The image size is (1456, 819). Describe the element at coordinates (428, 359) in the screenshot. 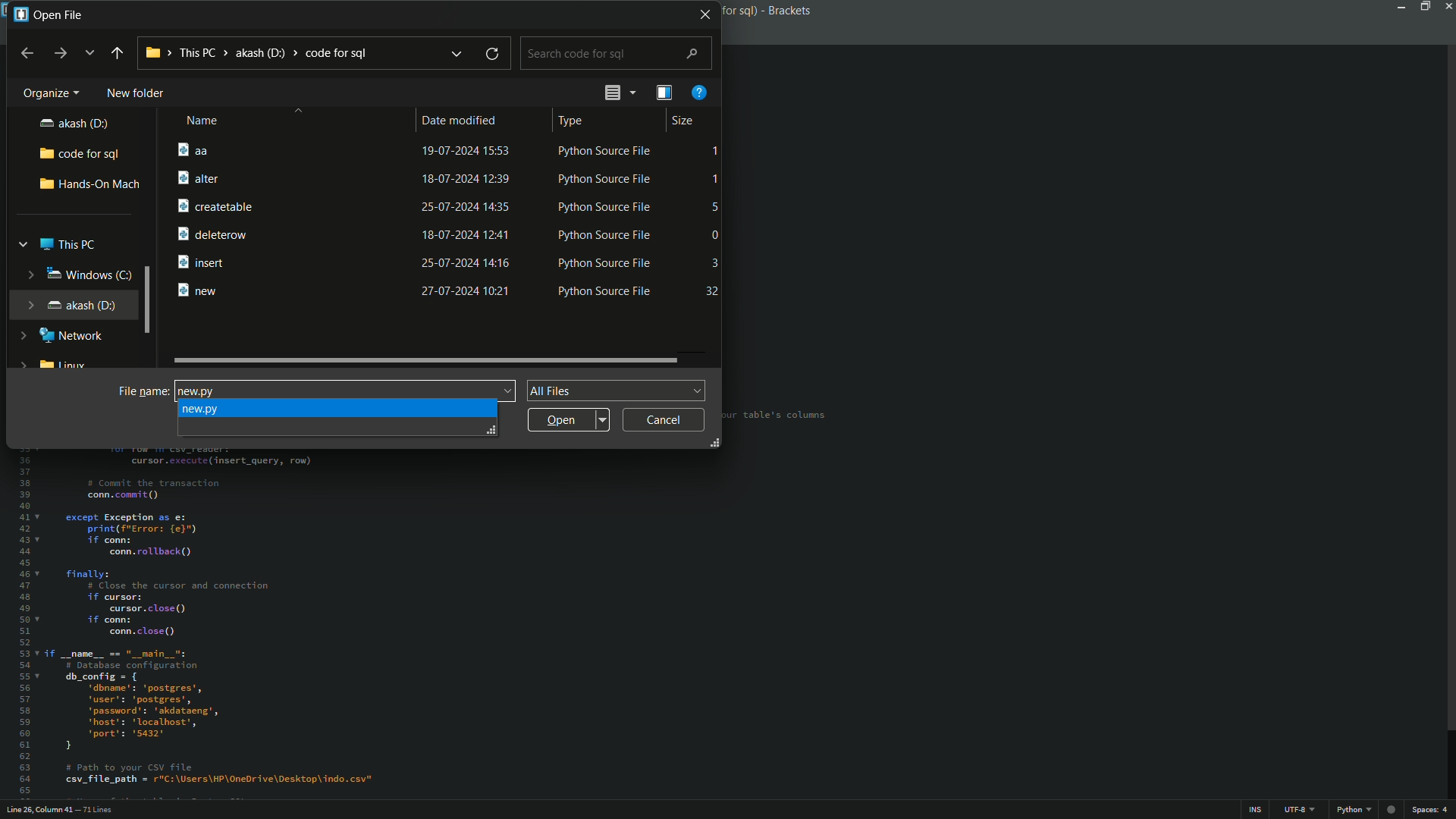

I see `scroll bar` at that location.